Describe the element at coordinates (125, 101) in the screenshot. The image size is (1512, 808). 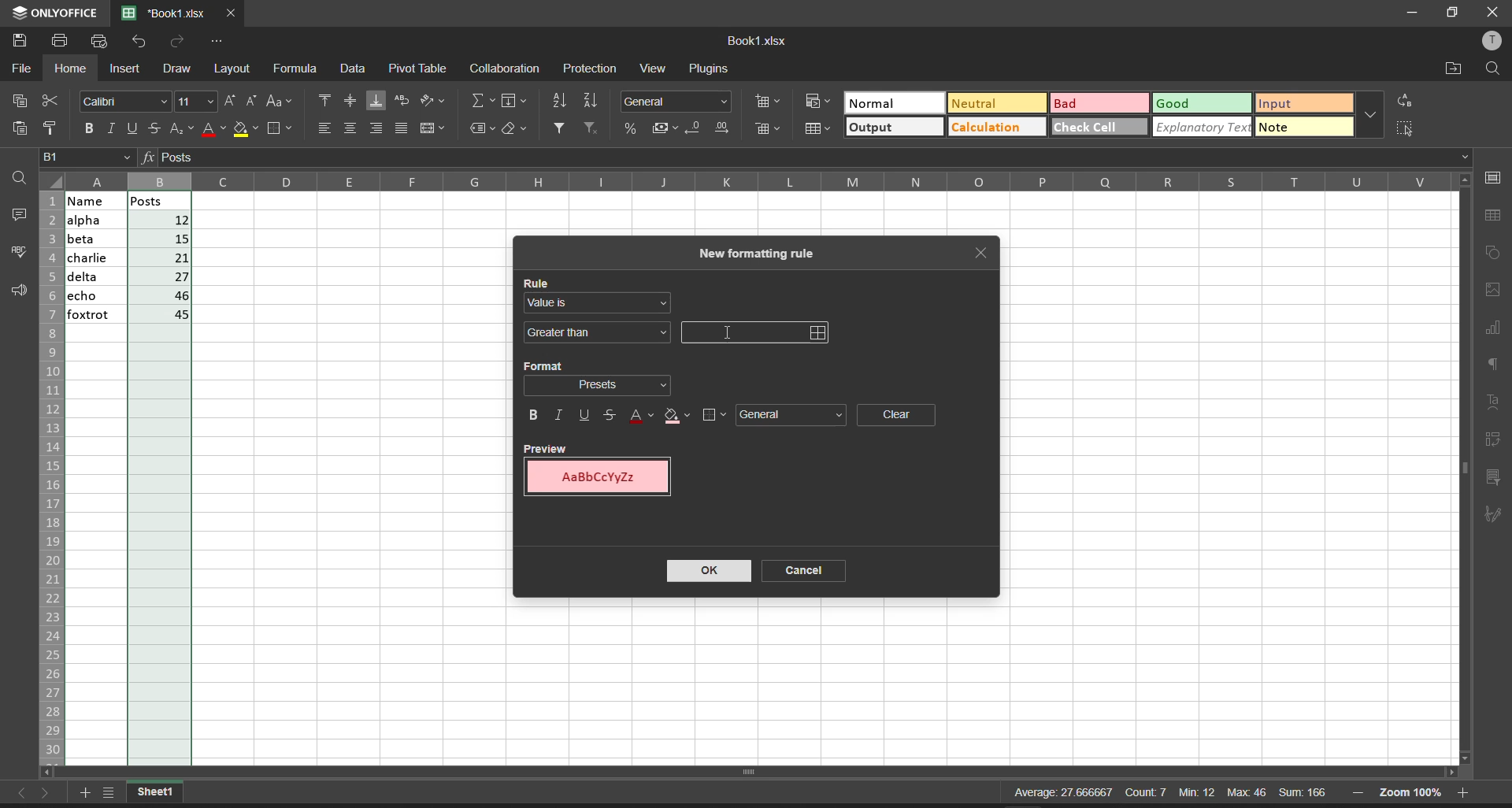
I see `font` at that location.